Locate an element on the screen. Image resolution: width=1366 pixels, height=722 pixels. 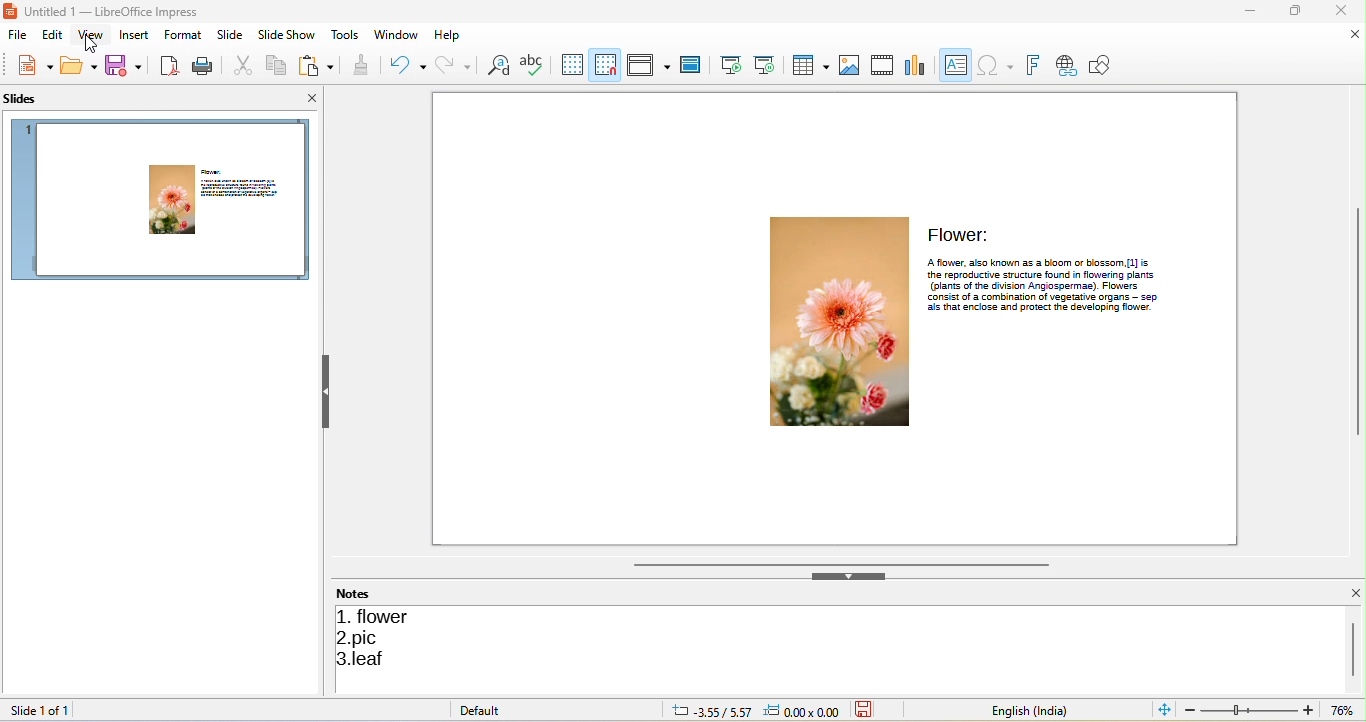
copy is located at coordinates (277, 65).